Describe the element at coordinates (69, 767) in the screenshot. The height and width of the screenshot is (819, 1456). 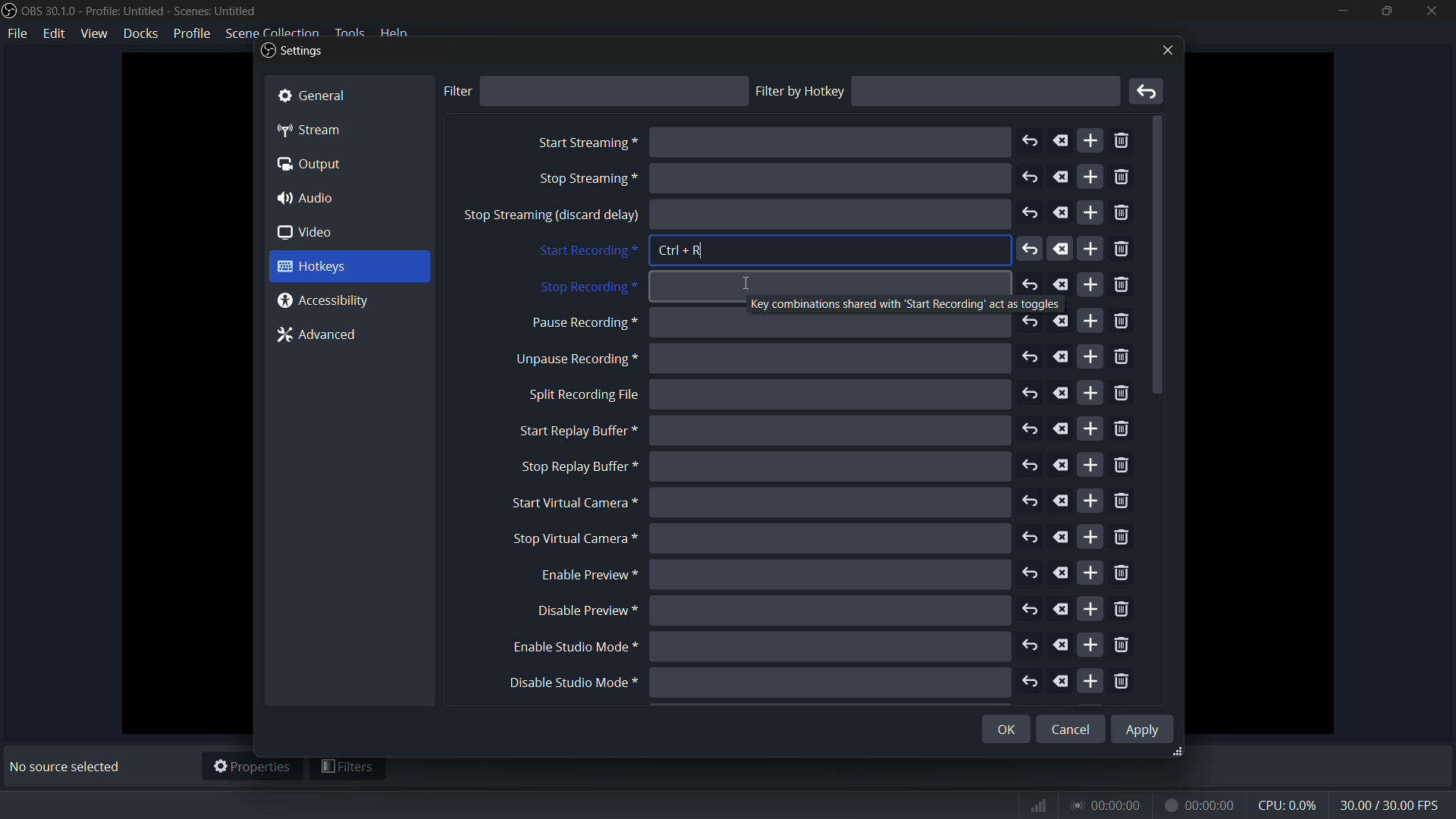
I see `No source selected` at that location.